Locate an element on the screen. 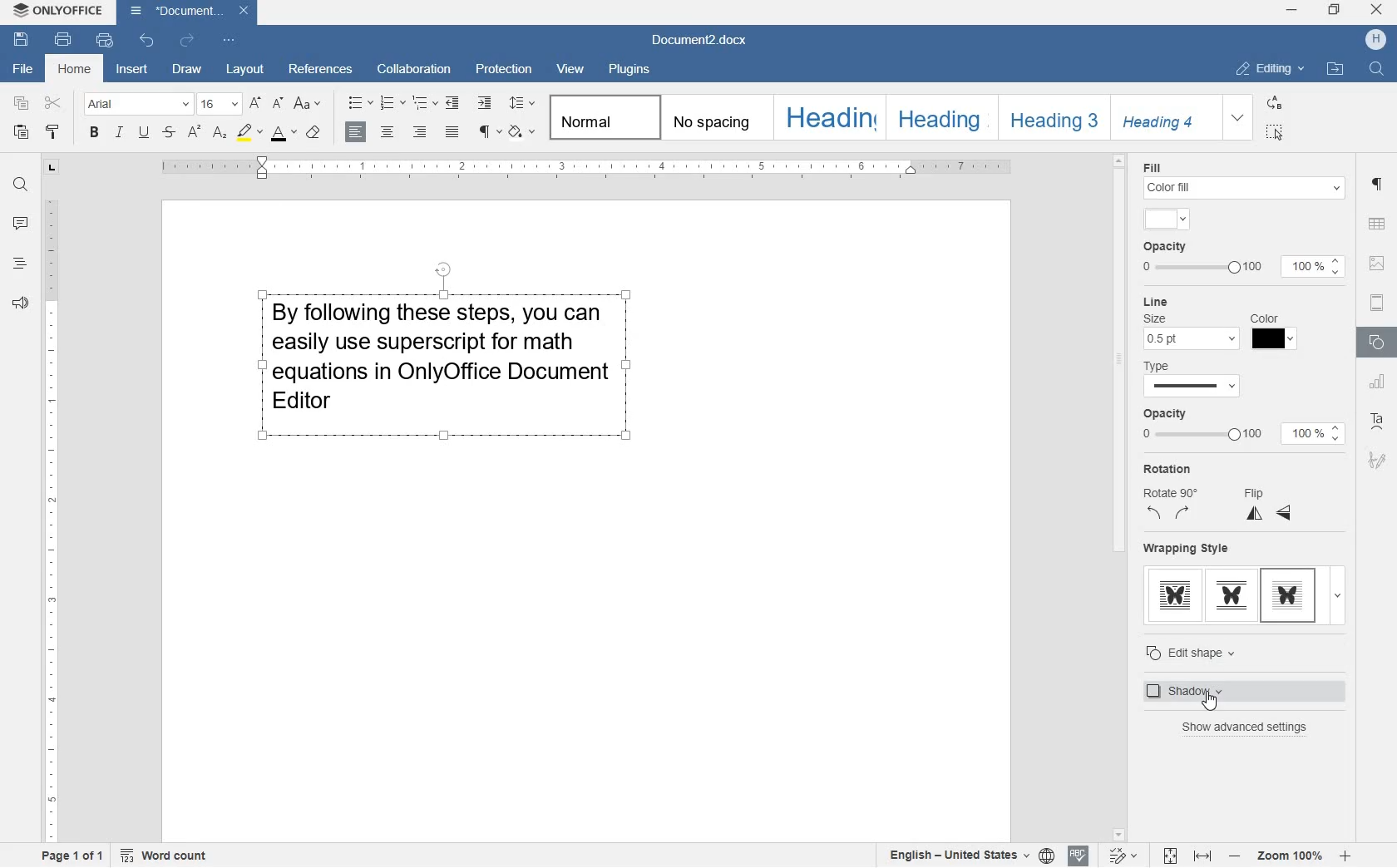 This screenshot has width=1397, height=868. text art is located at coordinates (1377, 423).